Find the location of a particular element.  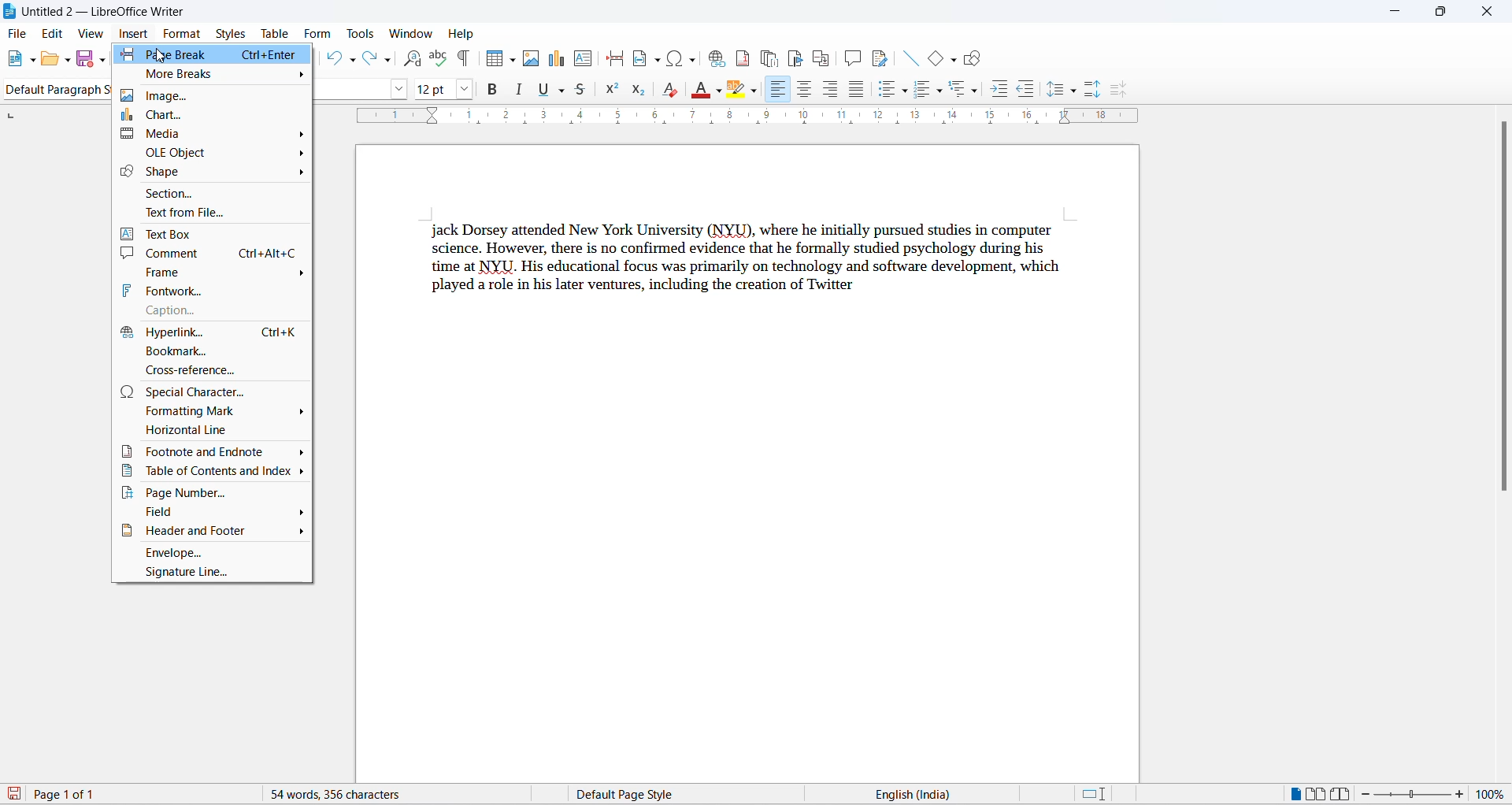

select outline format is located at coordinates (961, 93).